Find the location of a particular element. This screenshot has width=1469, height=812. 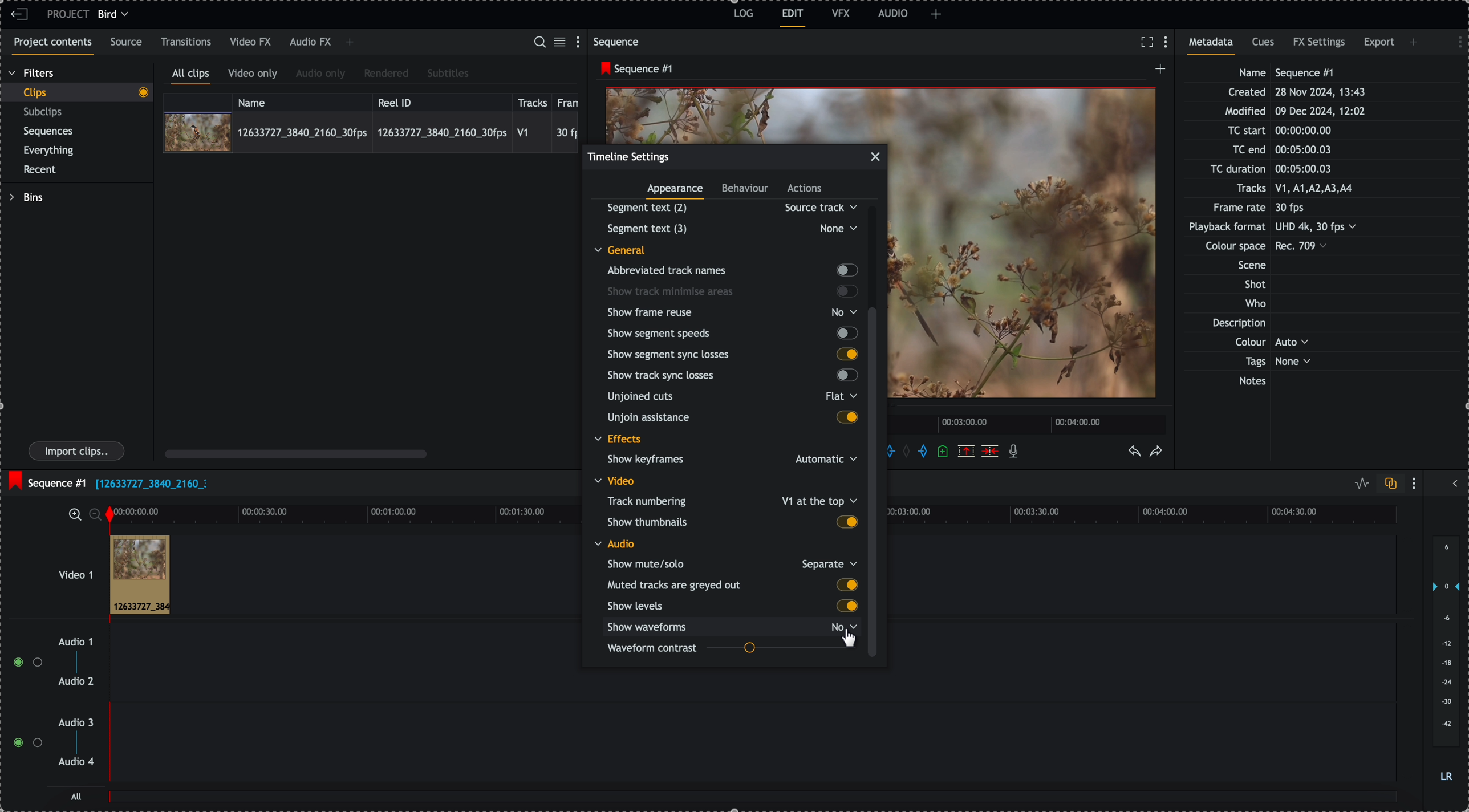

clips is located at coordinates (76, 93).